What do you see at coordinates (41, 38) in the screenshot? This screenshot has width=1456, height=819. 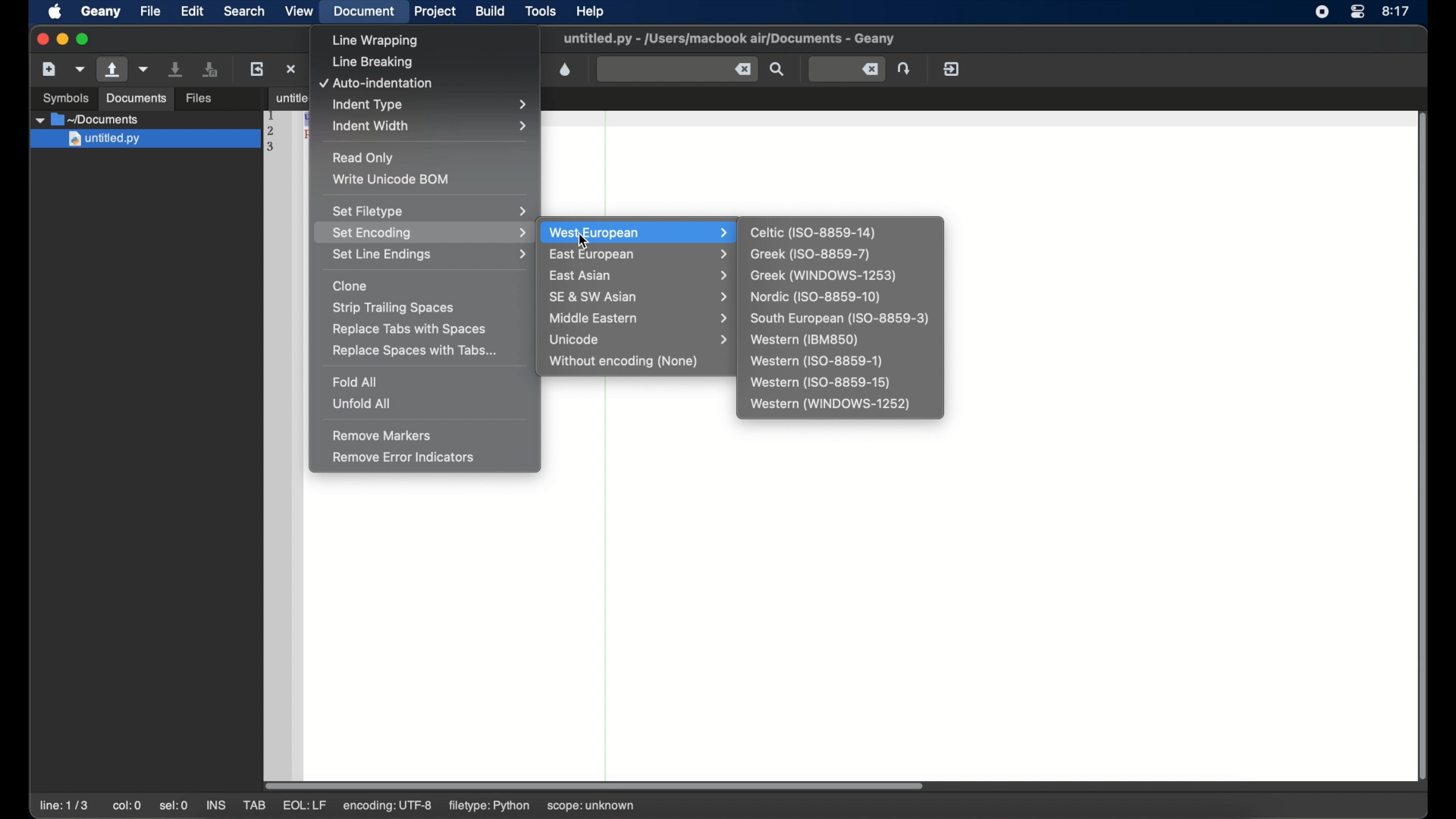 I see `close` at bounding box center [41, 38].